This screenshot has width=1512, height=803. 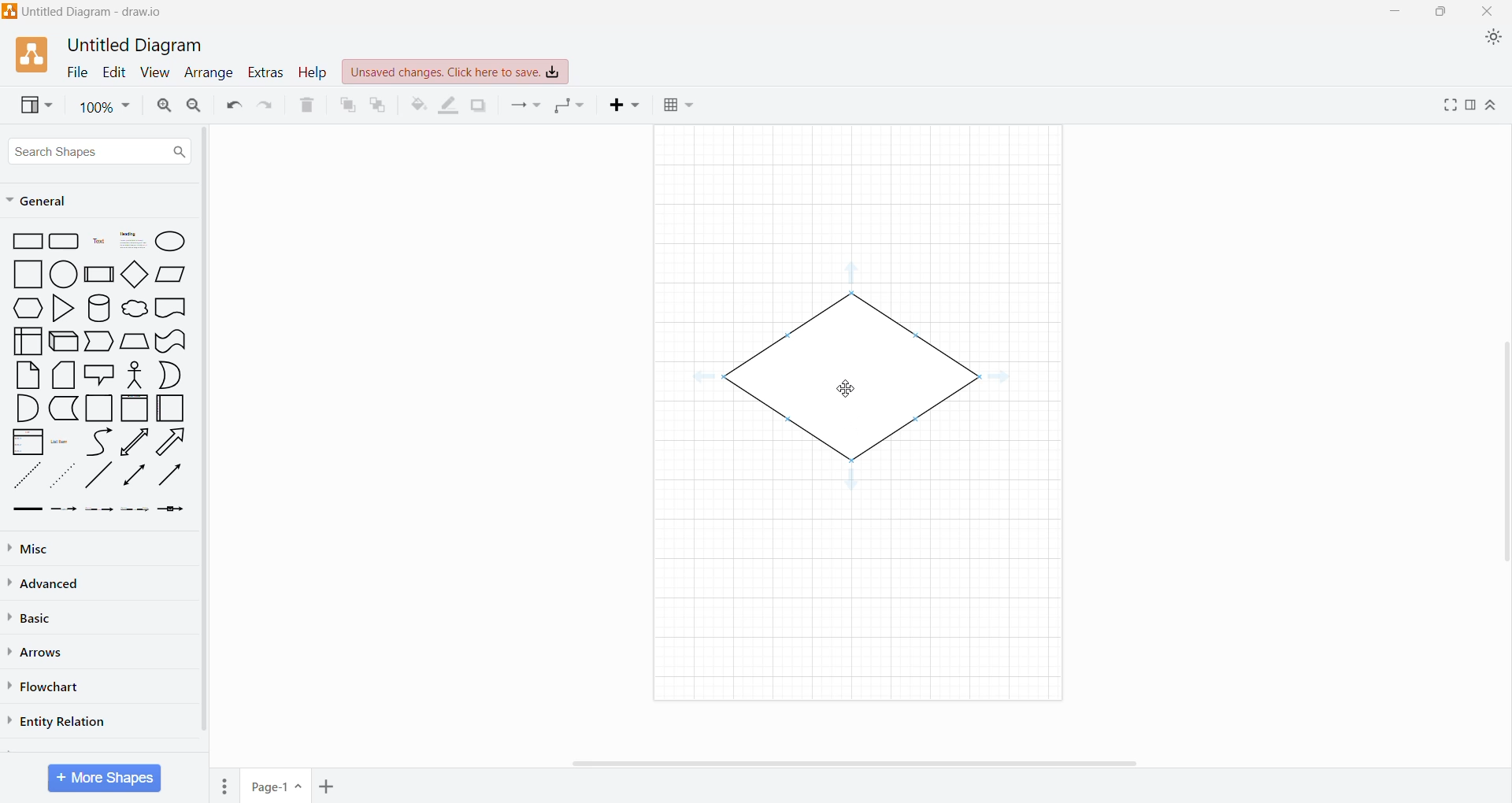 I want to click on Format, so click(x=1471, y=106).